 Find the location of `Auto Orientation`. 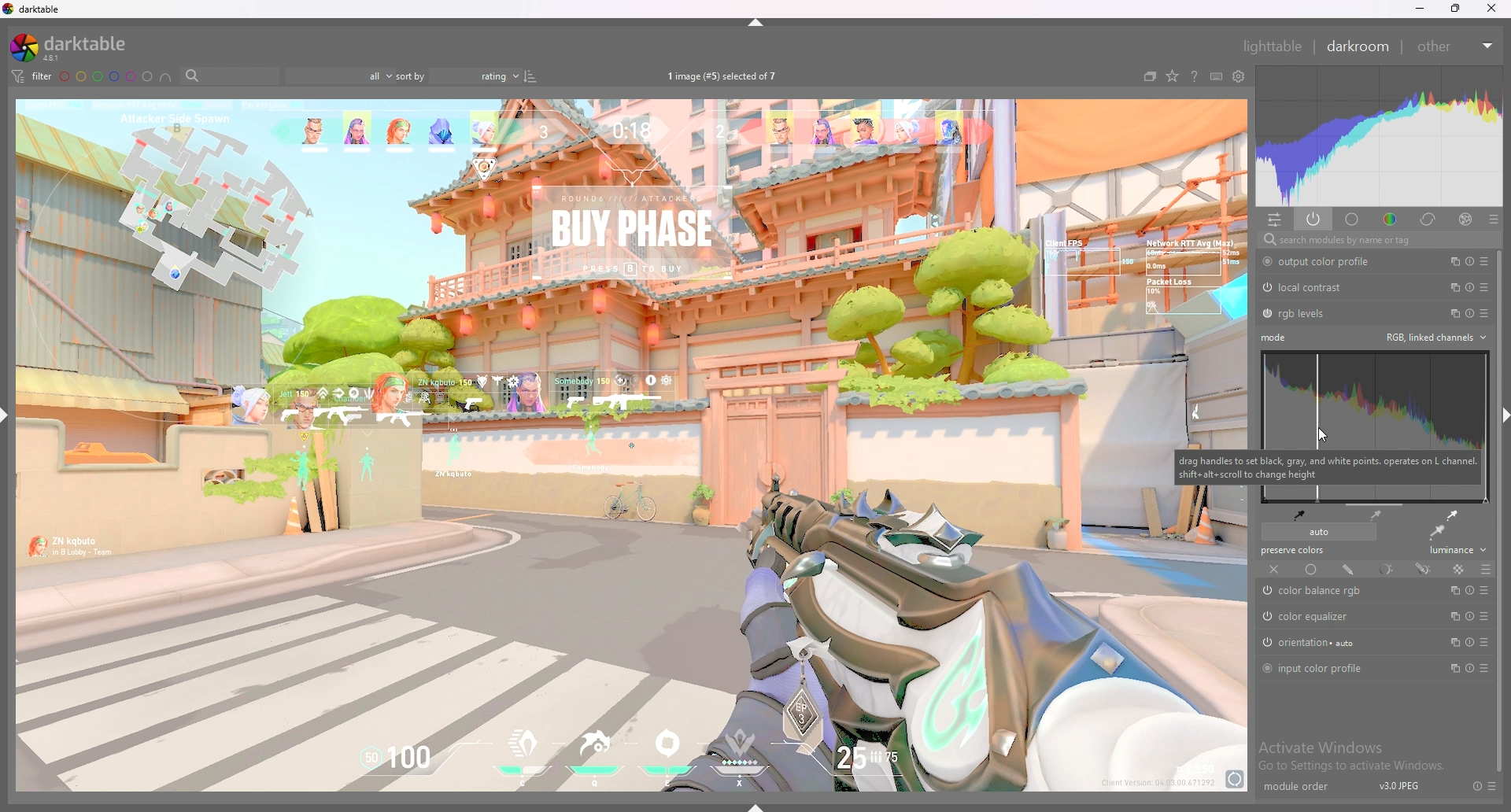

Auto Orientation is located at coordinates (1316, 644).